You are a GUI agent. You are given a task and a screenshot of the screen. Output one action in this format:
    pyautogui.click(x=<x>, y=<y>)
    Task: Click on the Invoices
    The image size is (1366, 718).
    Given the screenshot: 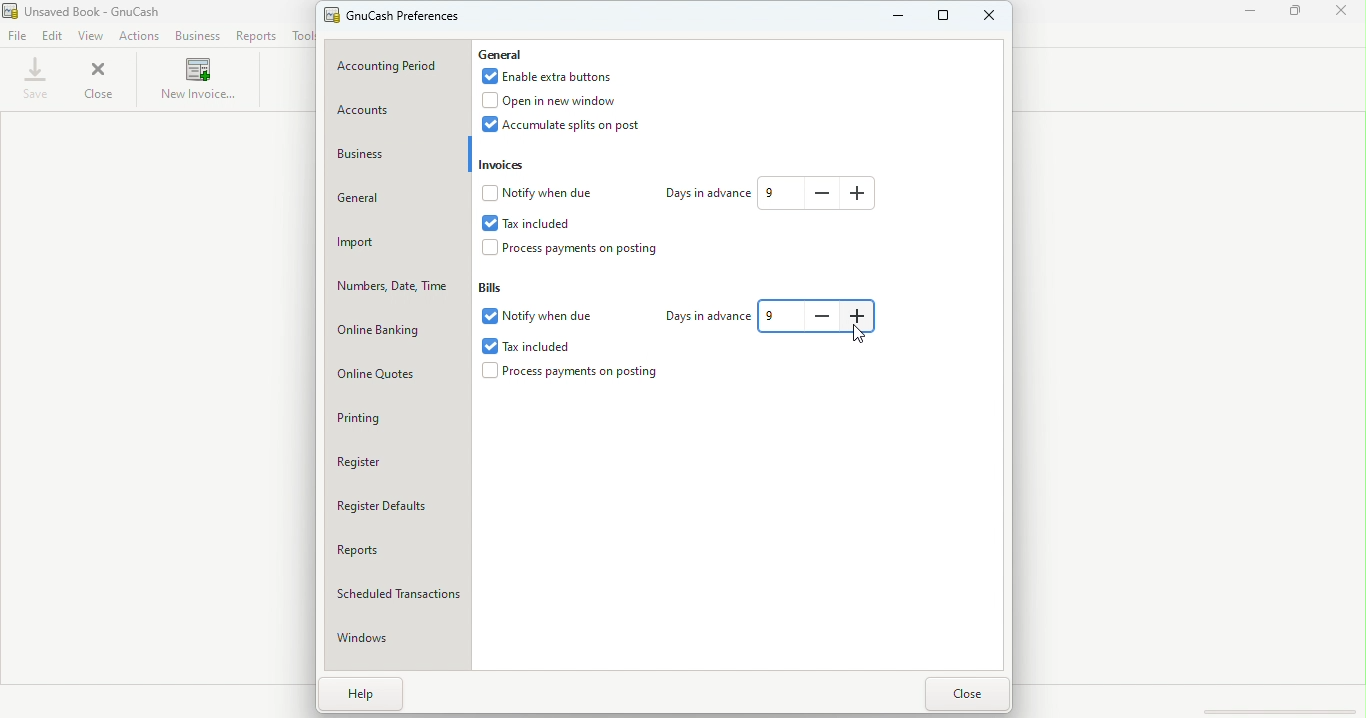 What is the action you would take?
    pyautogui.click(x=518, y=165)
    